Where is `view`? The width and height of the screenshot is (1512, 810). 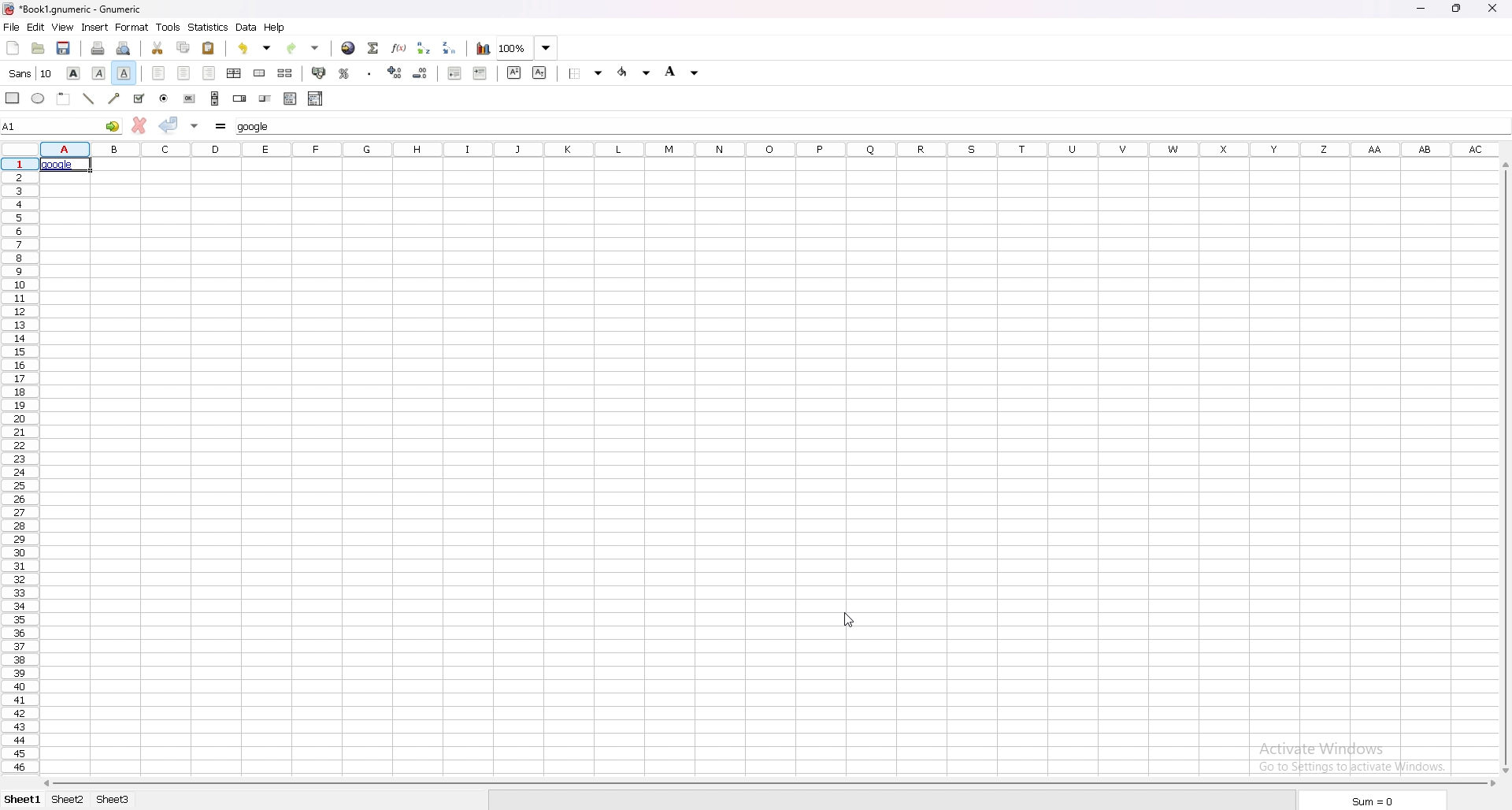
view is located at coordinates (63, 27).